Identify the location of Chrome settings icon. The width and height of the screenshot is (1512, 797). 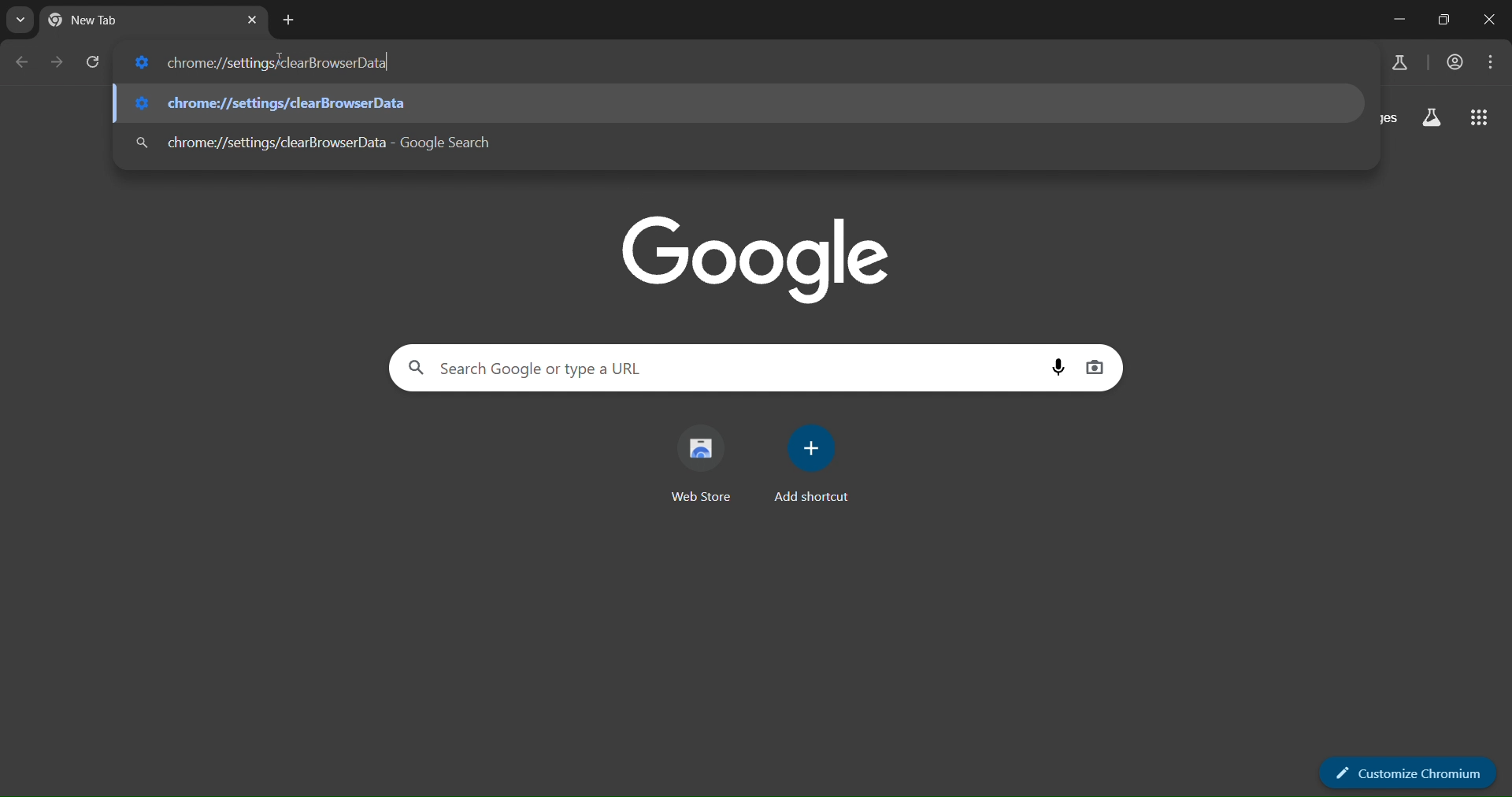
(141, 64).